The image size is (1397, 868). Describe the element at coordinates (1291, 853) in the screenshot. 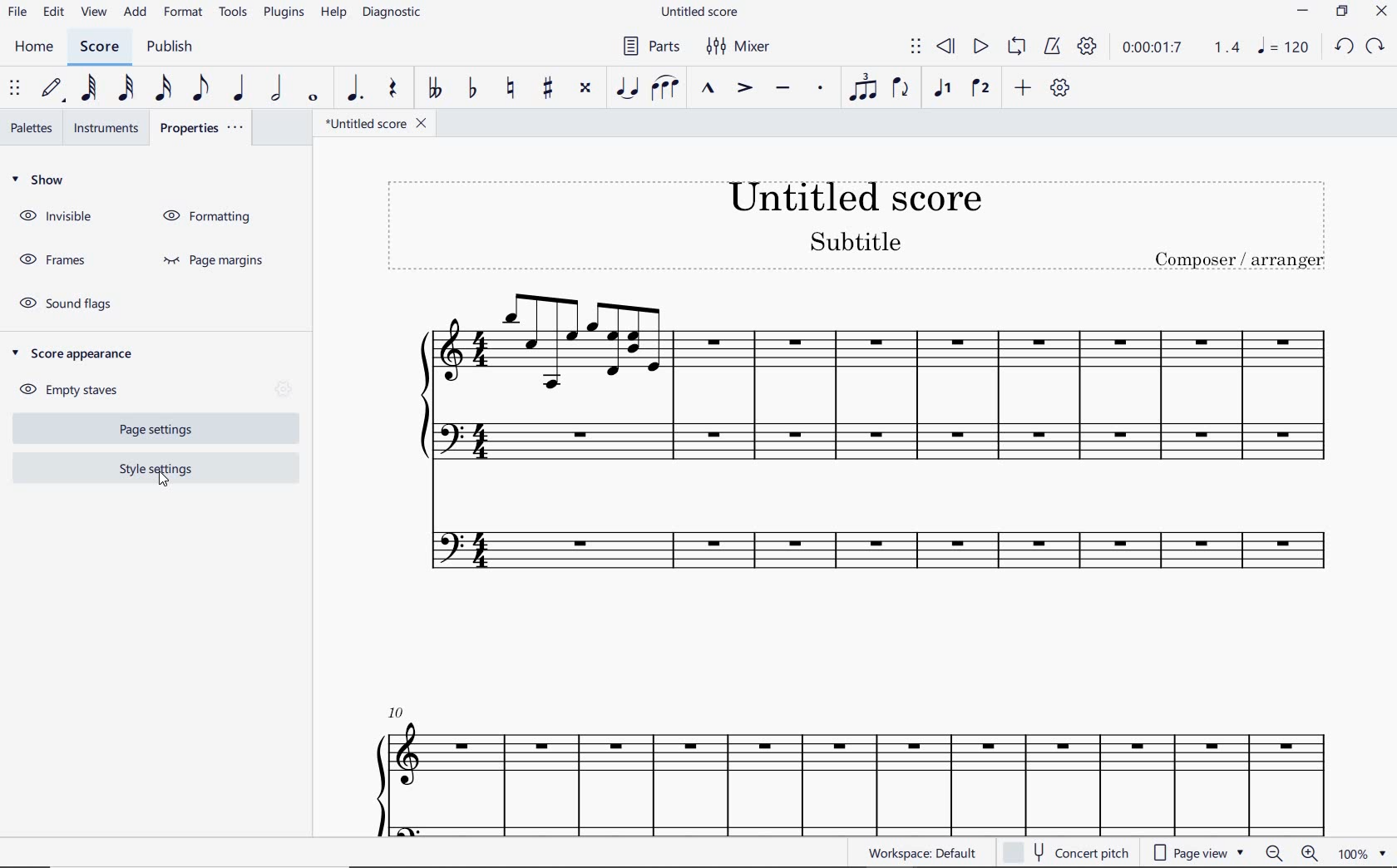

I see `zoom in or zoom out` at that location.